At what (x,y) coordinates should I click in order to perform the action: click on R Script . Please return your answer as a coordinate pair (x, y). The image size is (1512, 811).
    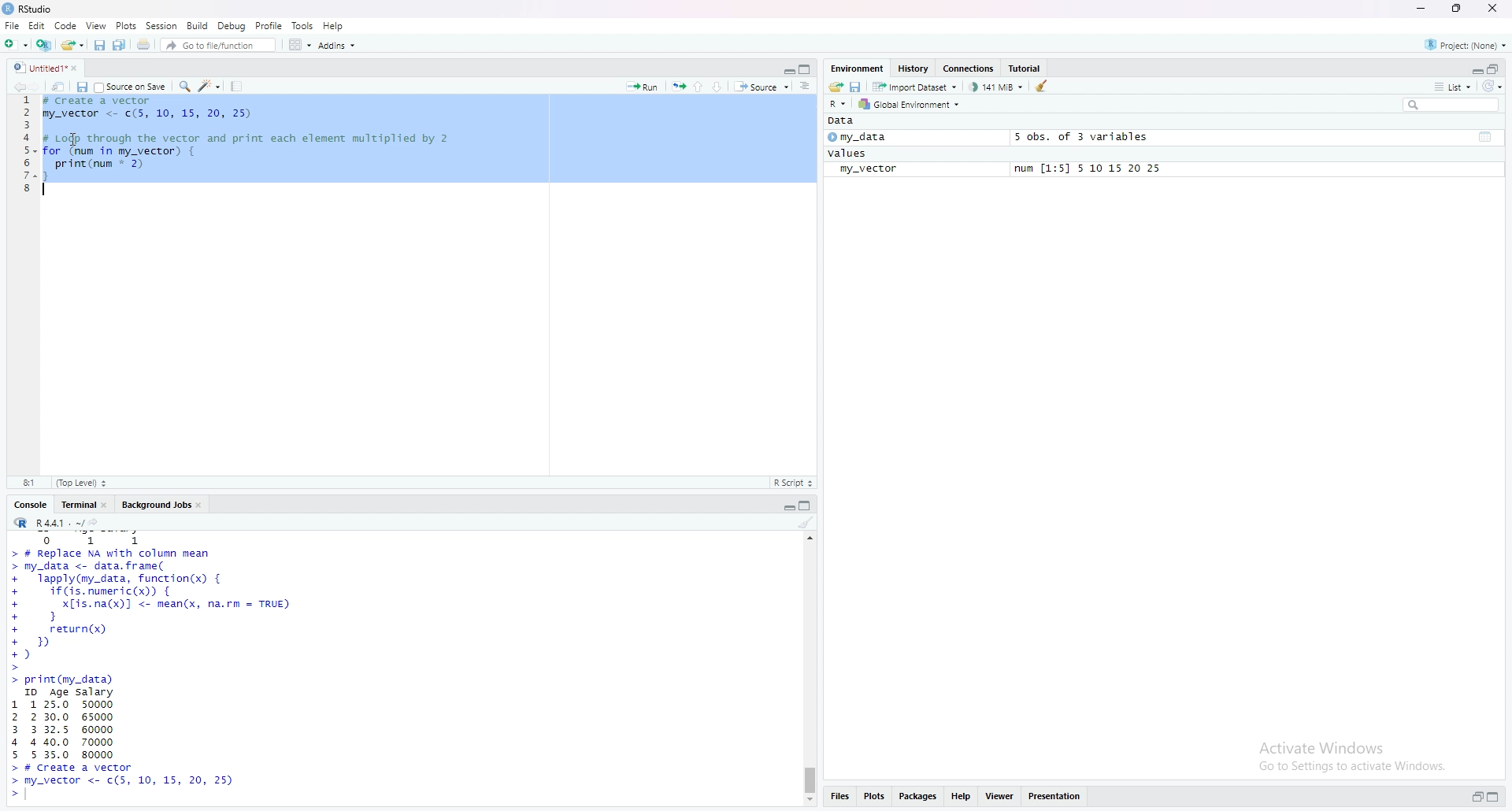
    Looking at the image, I should click on (795, 483).